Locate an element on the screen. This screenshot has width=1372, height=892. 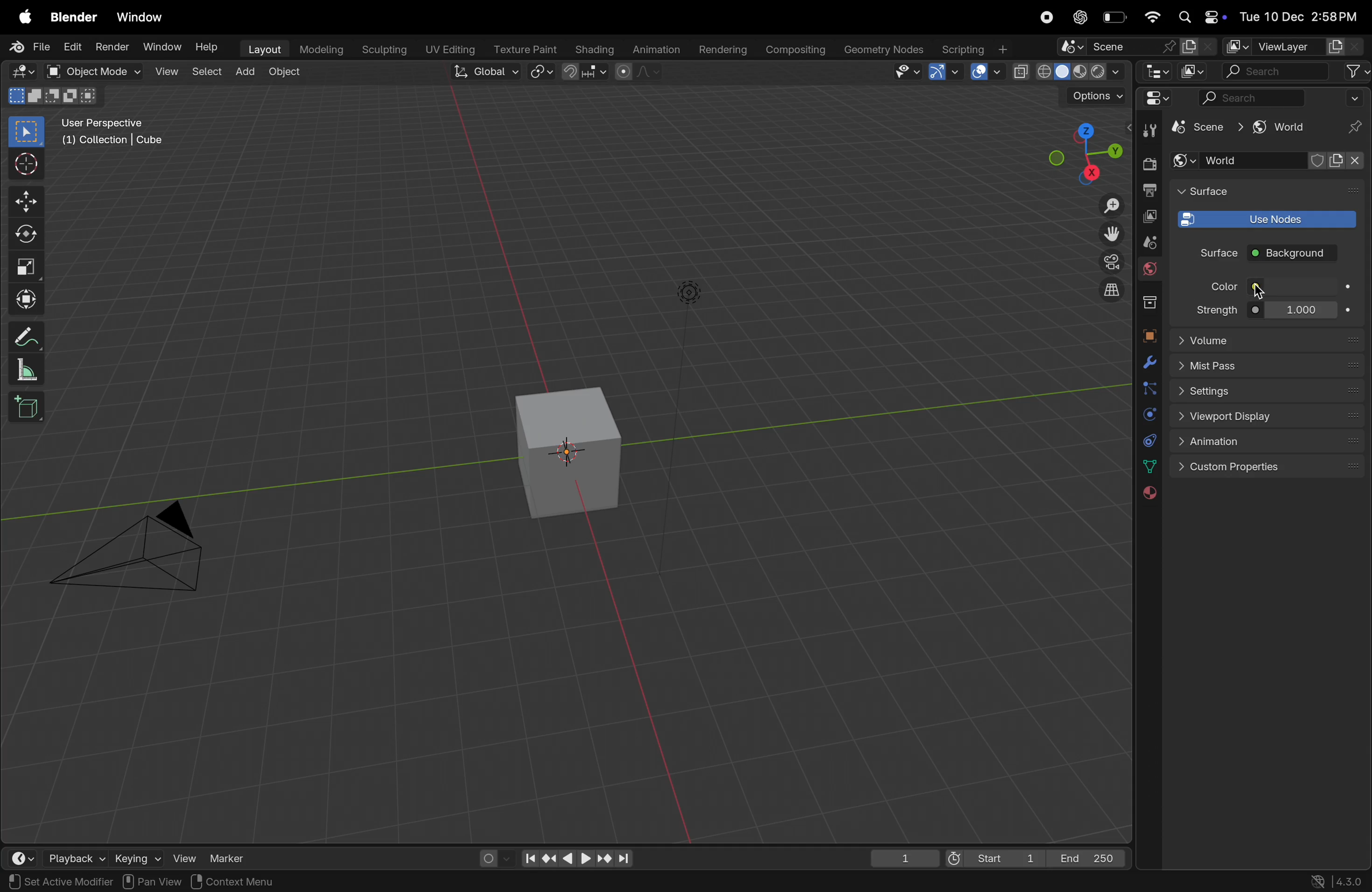
Sculpting is located at coordinates (383, 50).